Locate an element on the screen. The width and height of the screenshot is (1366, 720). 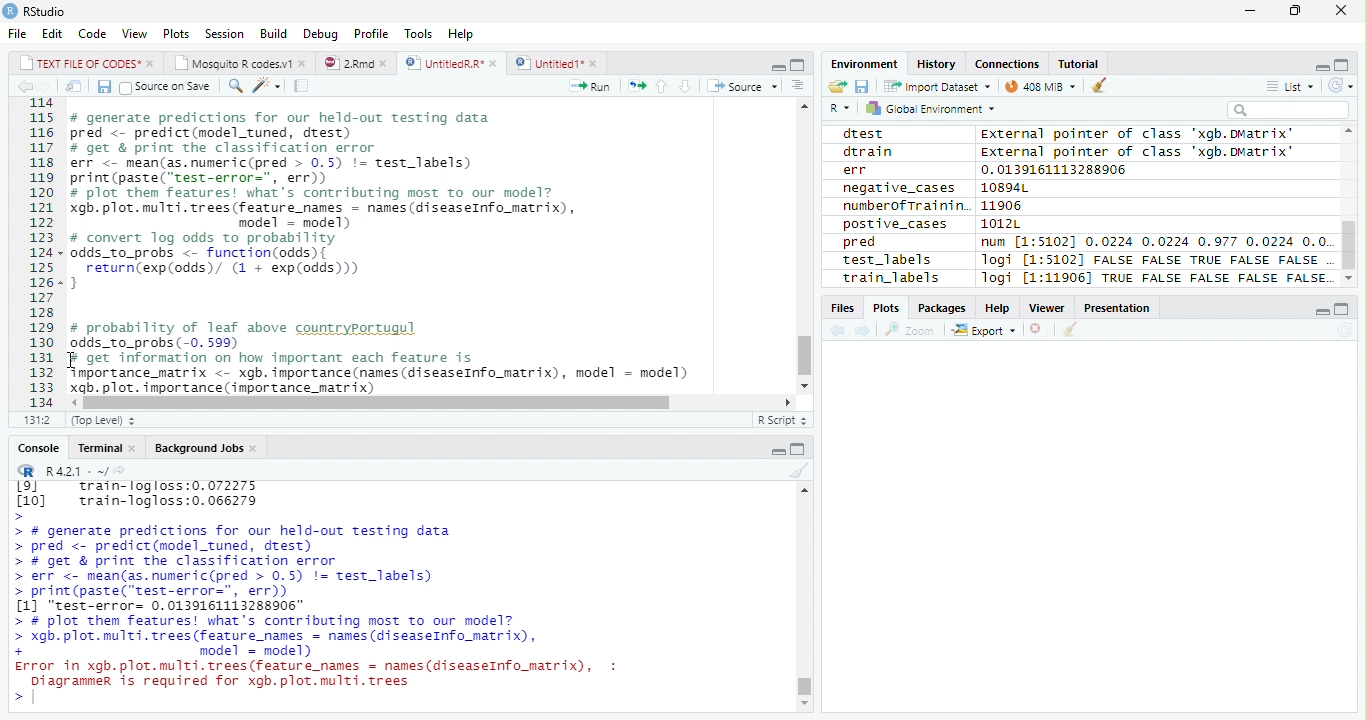
external pointer of class 'xagb.DMatrix' is located at coordinates (1142, 132).